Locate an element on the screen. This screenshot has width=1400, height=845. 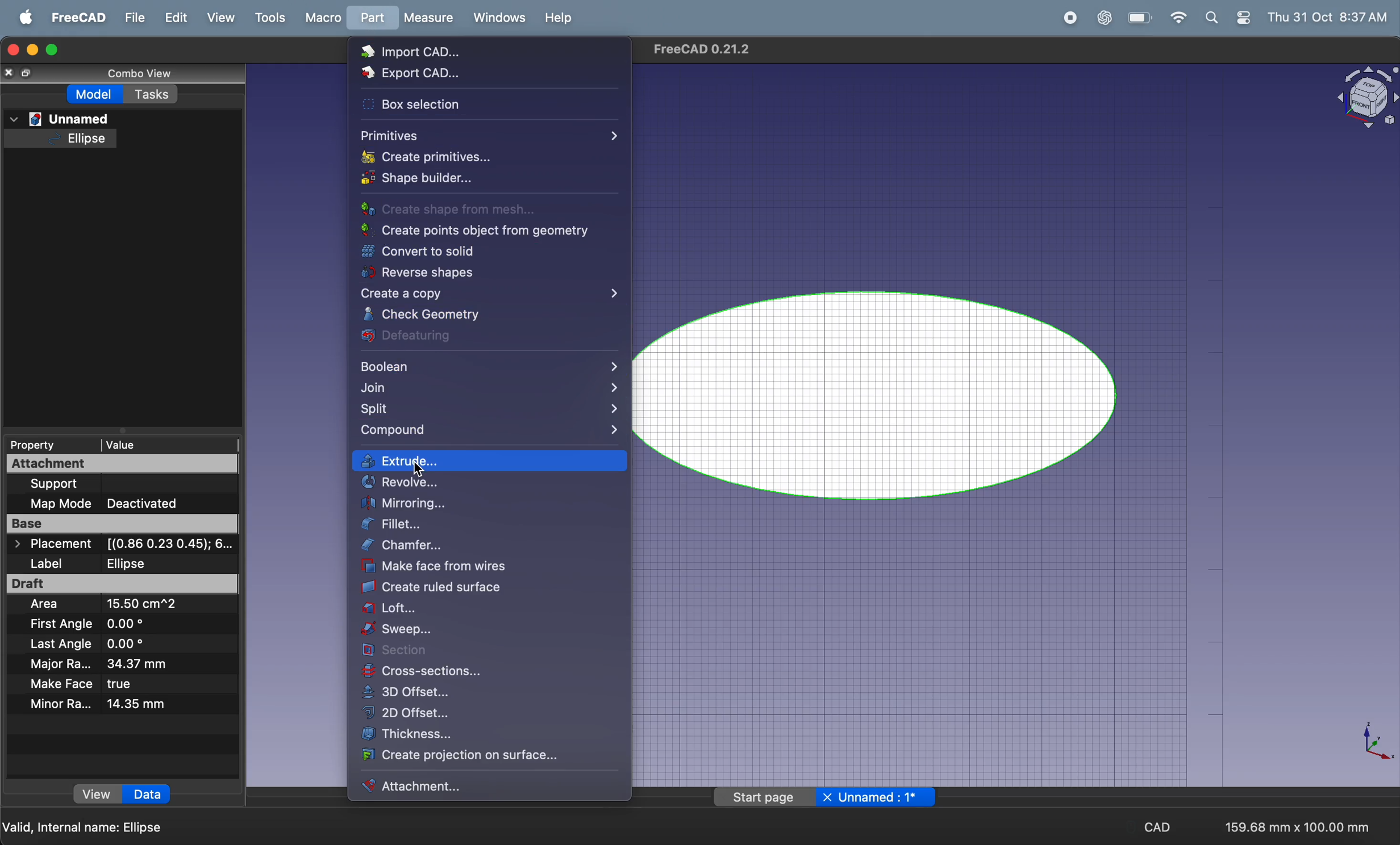
view data is located at coordinates (121, 794).